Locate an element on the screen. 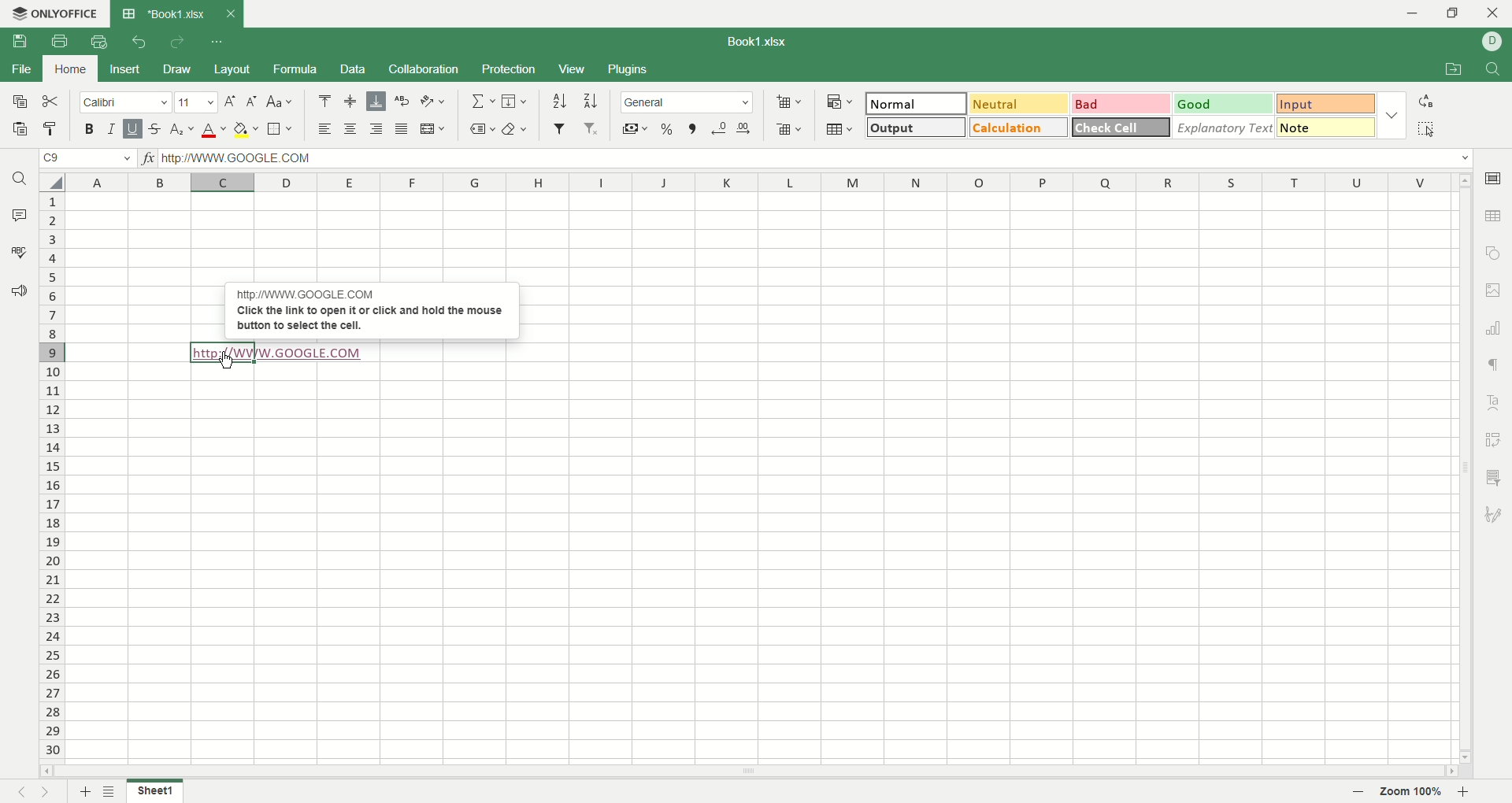  paragraph settings is located at coordinates (1494, 362).